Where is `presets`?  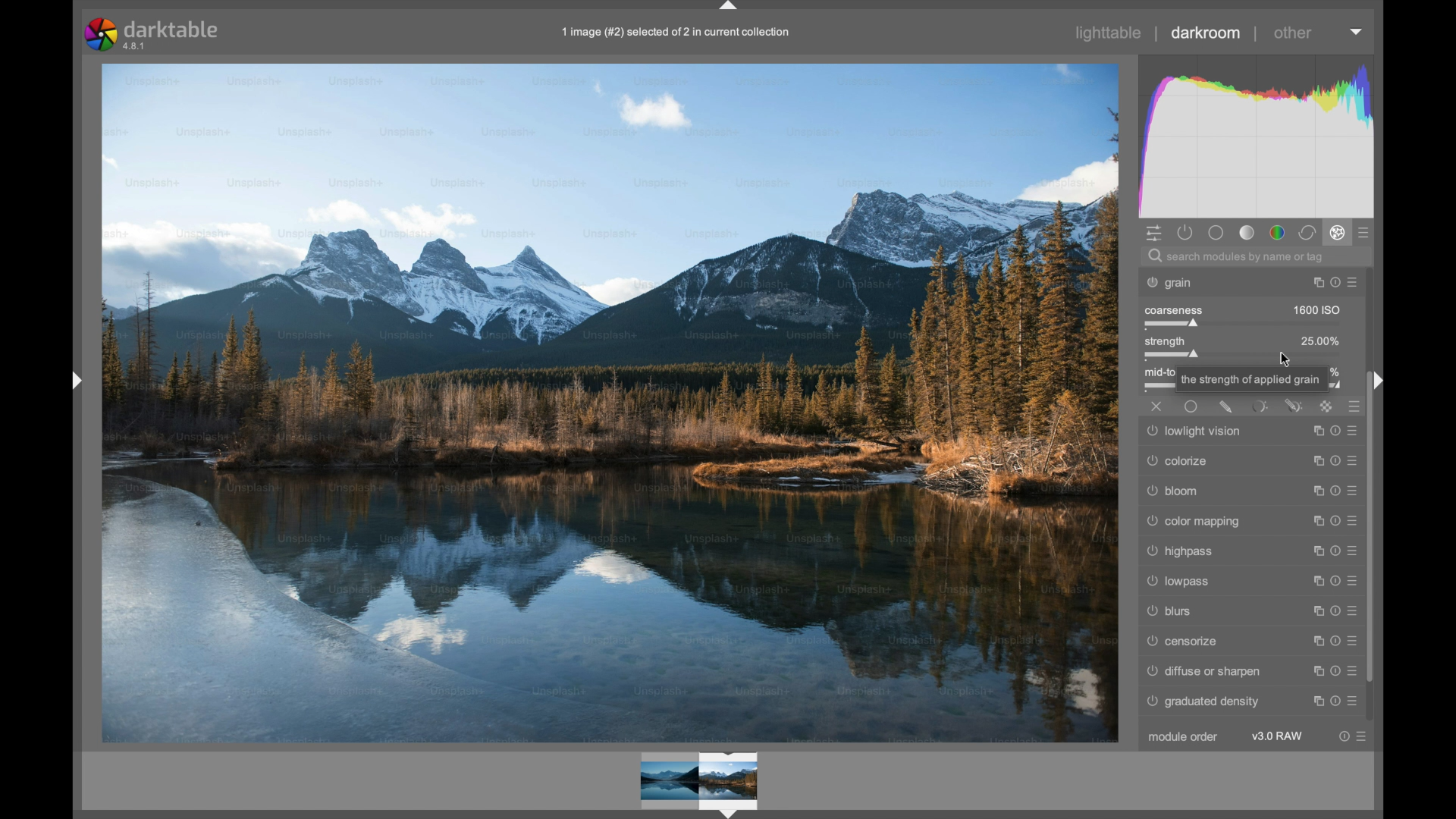
presets is located at coordinates (1355, 461).